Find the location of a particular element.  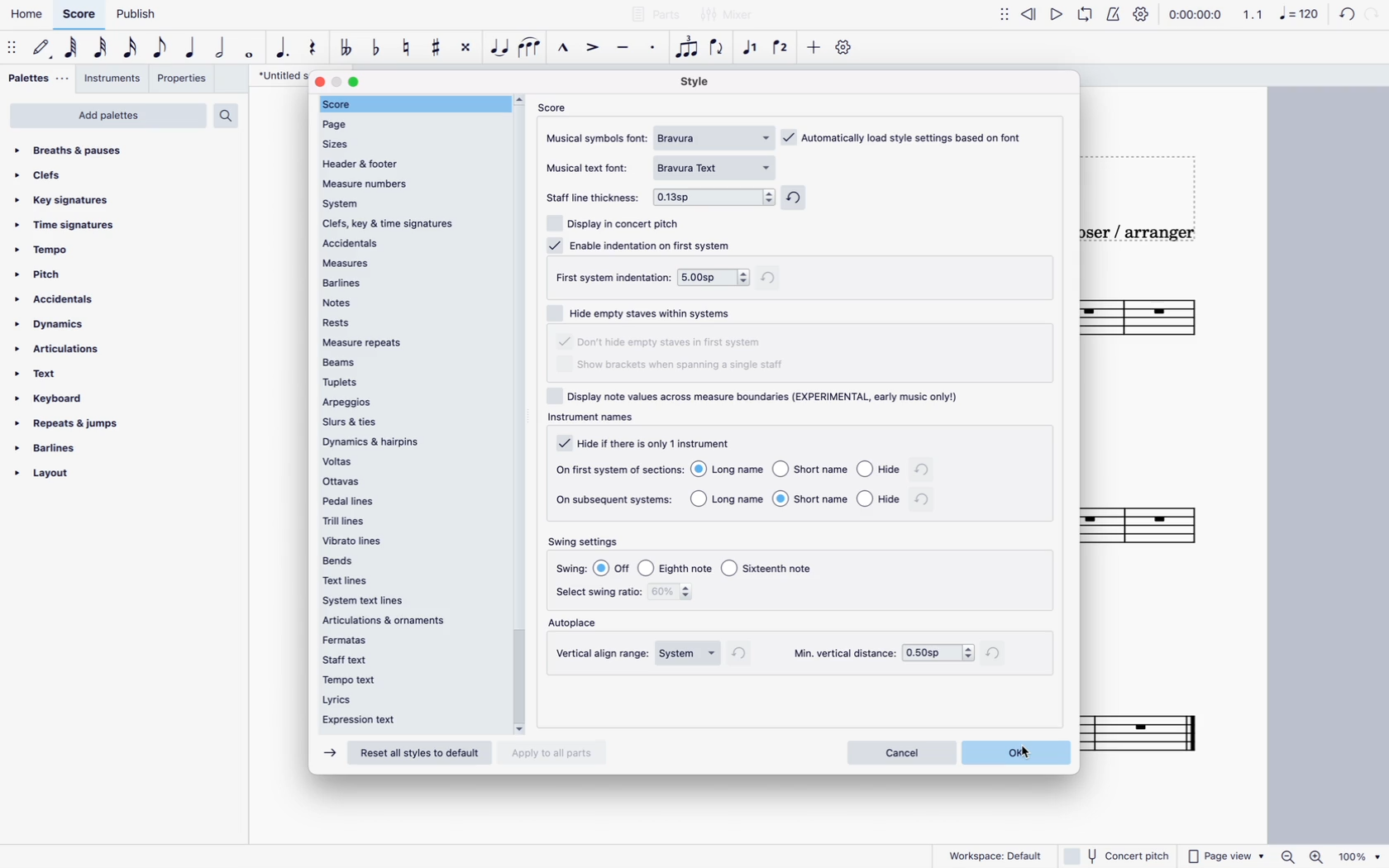

eighth note is located at coordinates (161, 50).